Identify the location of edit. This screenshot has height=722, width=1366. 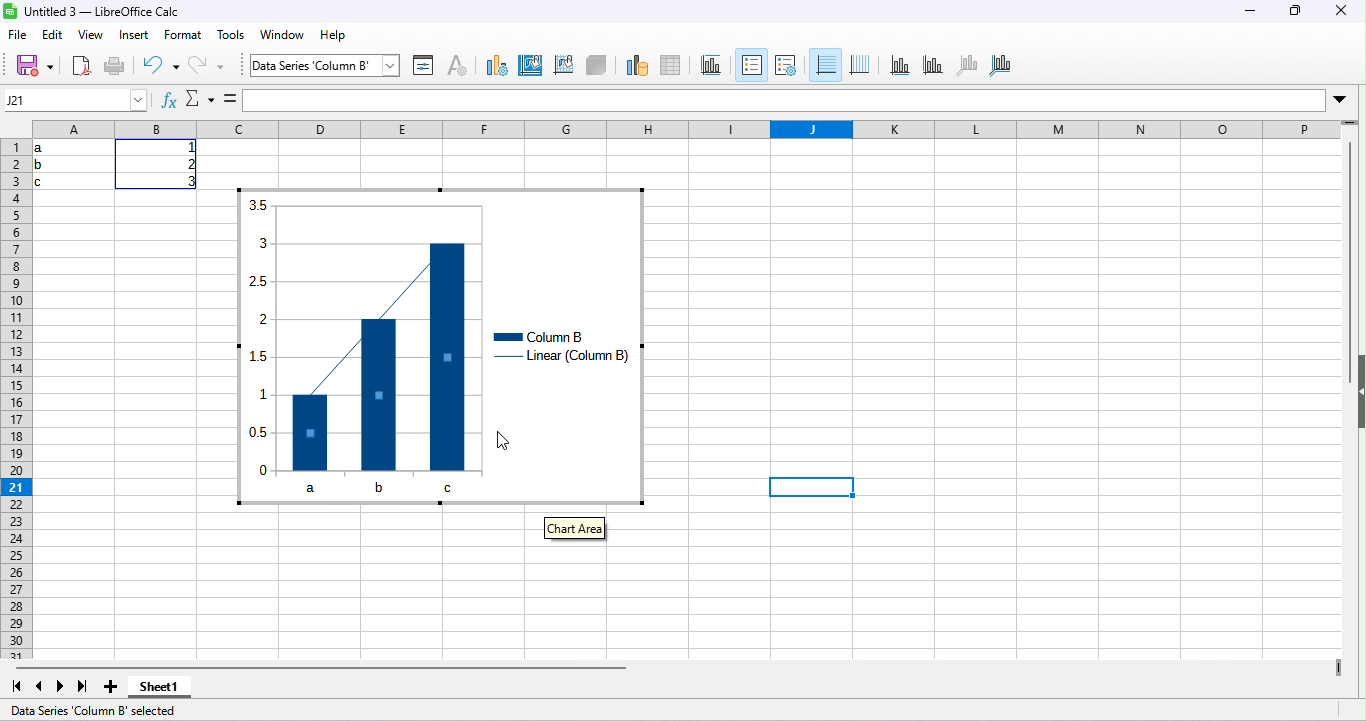
(53, 36).